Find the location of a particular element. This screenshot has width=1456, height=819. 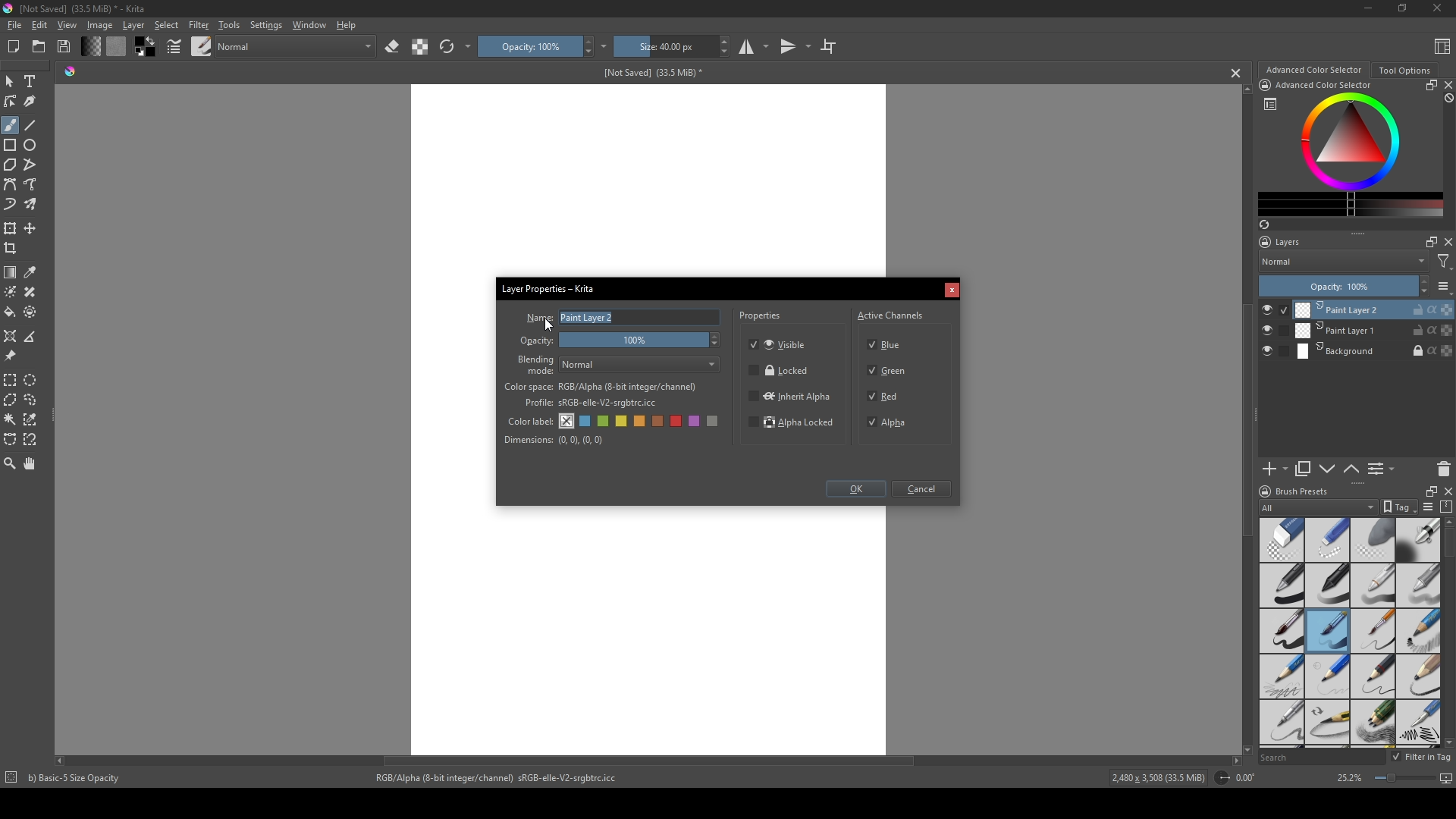

normal is located at coordinates (295, 45).